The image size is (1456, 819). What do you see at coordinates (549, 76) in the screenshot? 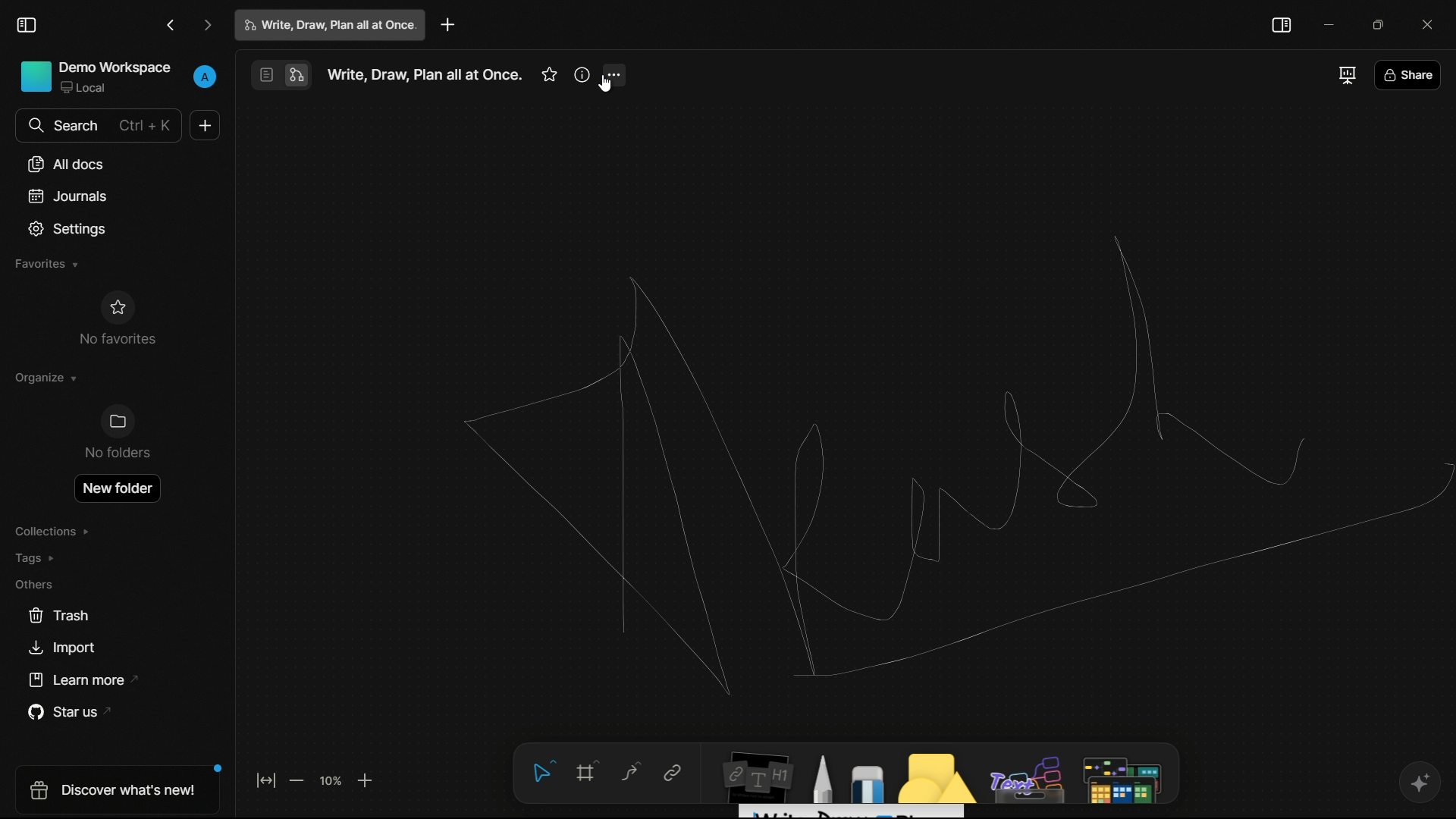
I see `favorites` at bounding box center [549, 76].